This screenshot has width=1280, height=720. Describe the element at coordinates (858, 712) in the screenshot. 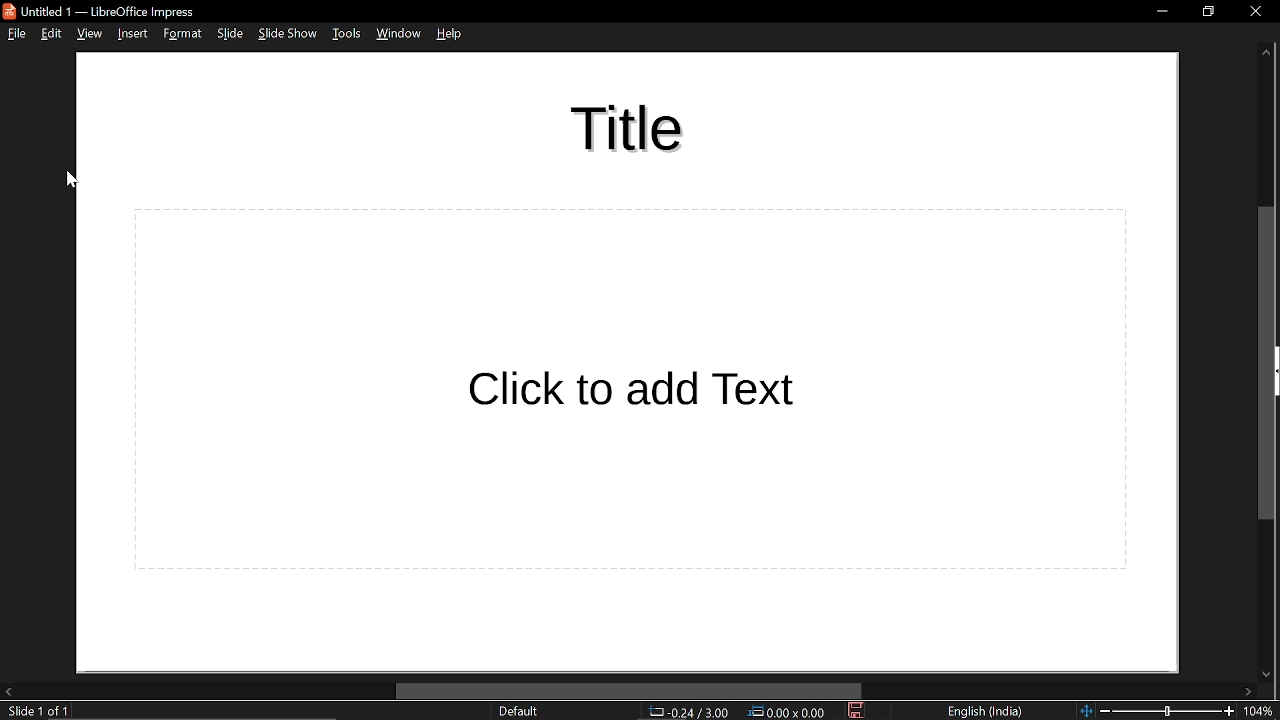

I see `save` at that location.